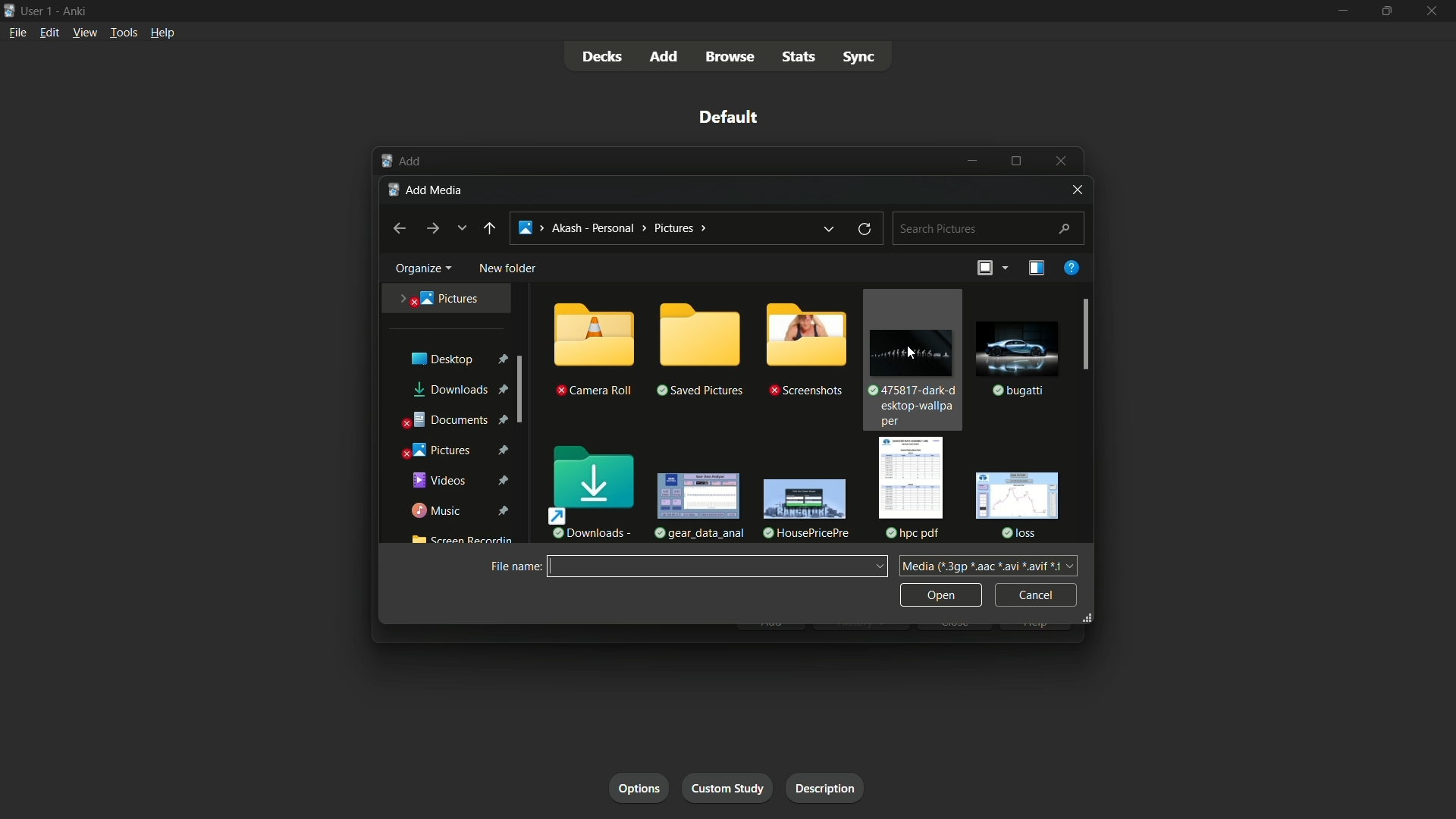  What do you see at coordinates (1085, 334) in the screenshot?
I see `scroll bar` at bounding box center [1085, 334].